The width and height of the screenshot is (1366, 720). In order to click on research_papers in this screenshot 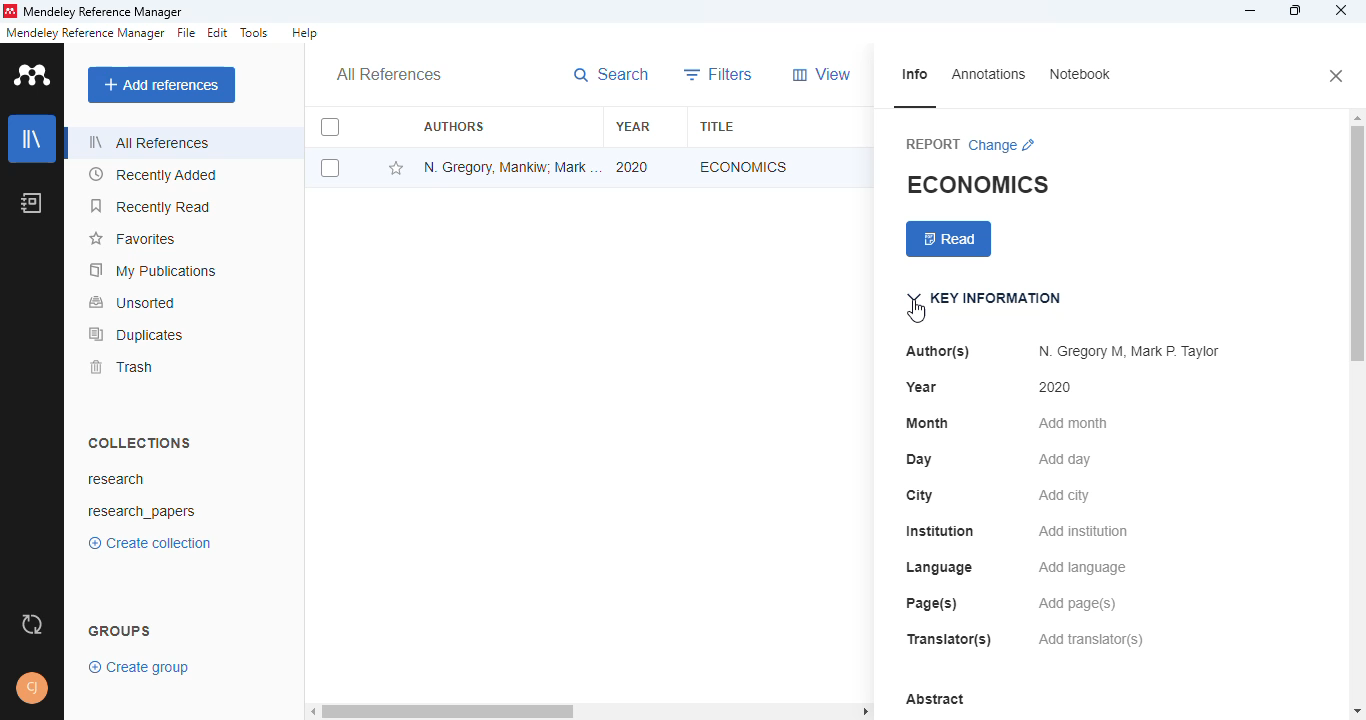, I will do `click(141, 512)`.